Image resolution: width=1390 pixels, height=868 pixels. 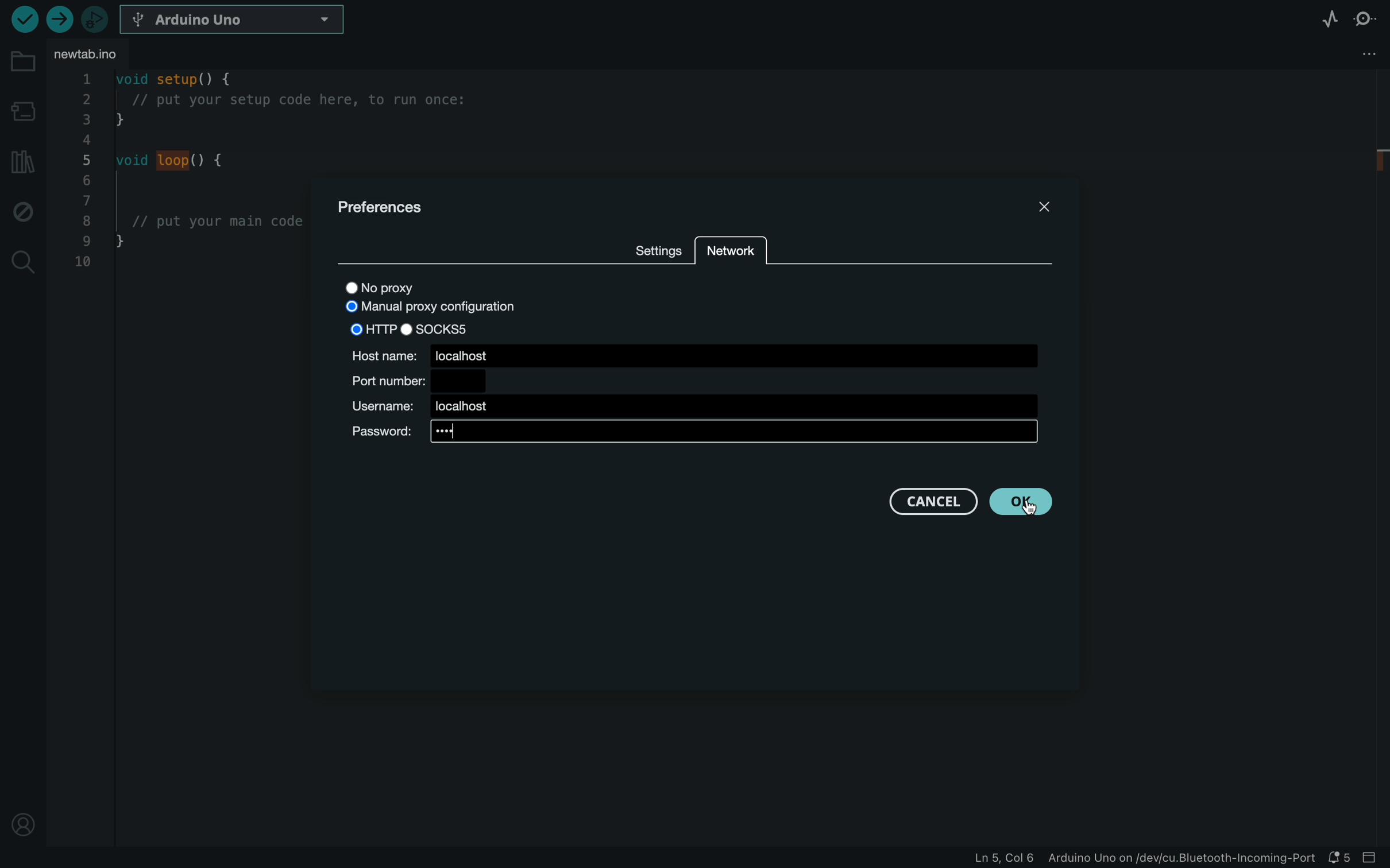 What do you see at coordinates (1341, 857) in the screenshot?
I see `notification` at bounding box center [1341, 857].